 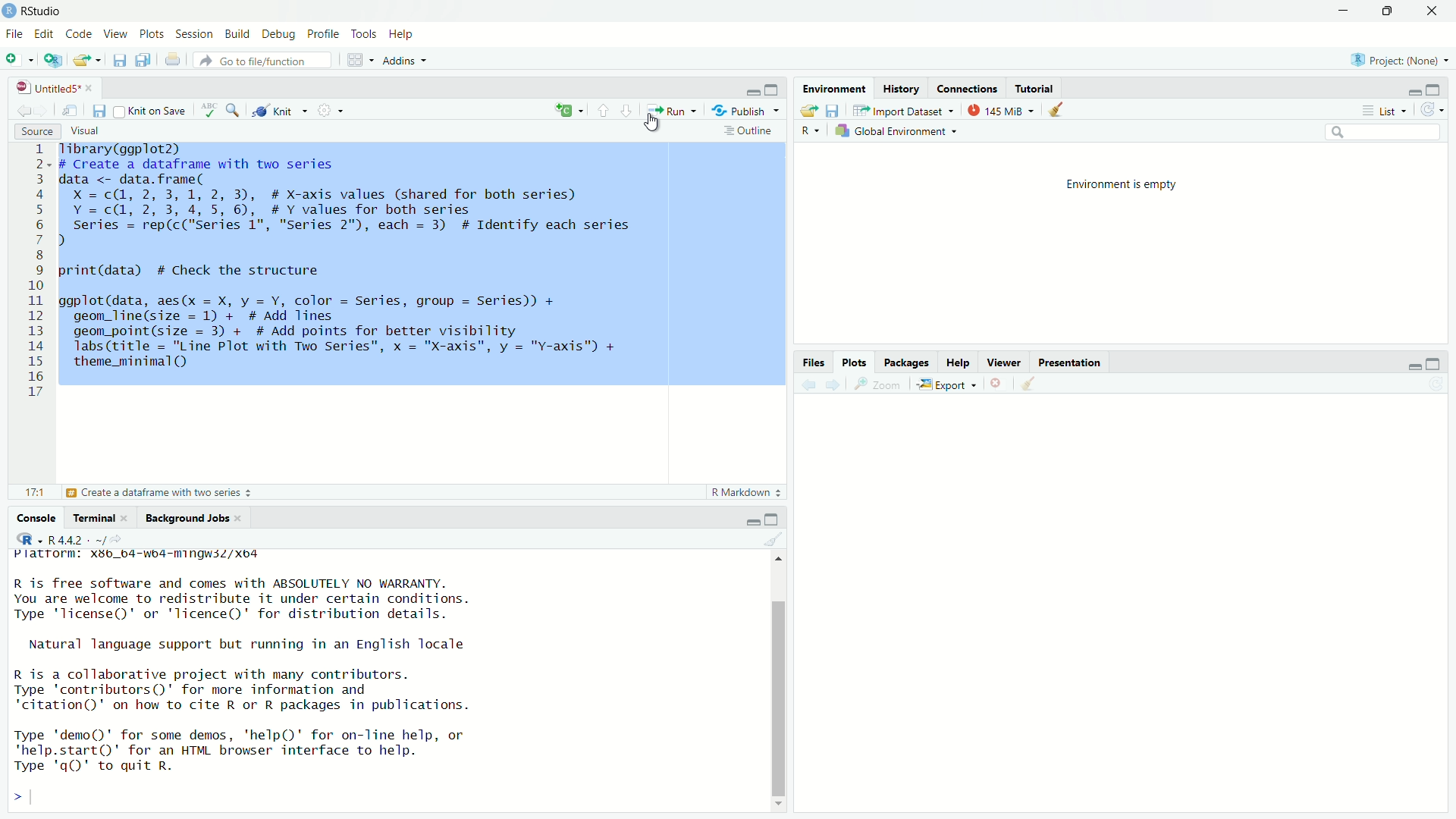 What do you see at coordinates (809, 384) in the screenshot?
I see `Go back to the previous source selection` at bounding box center [809, 384].